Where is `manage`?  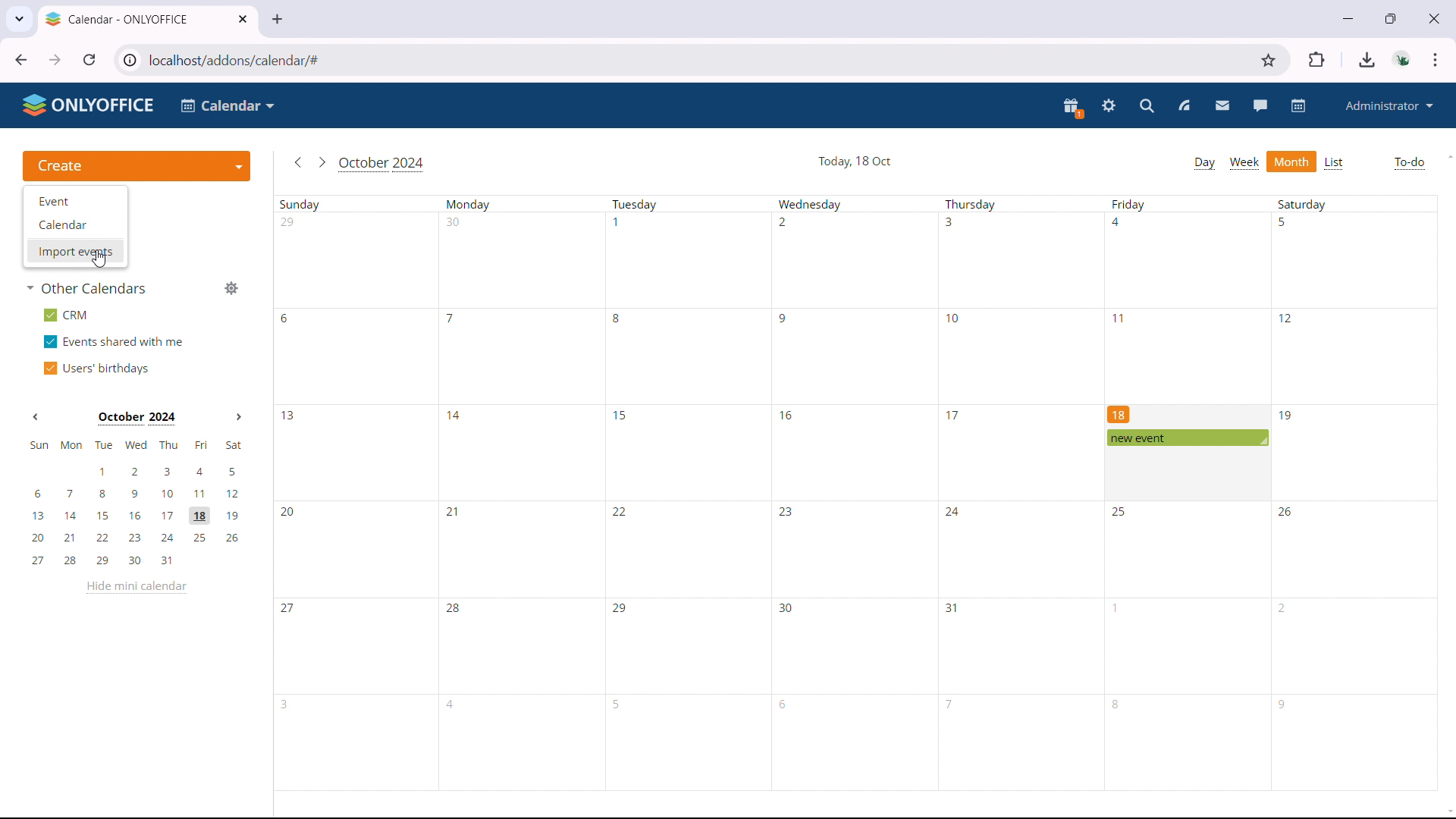 manage is located at coordinates (231, 289).